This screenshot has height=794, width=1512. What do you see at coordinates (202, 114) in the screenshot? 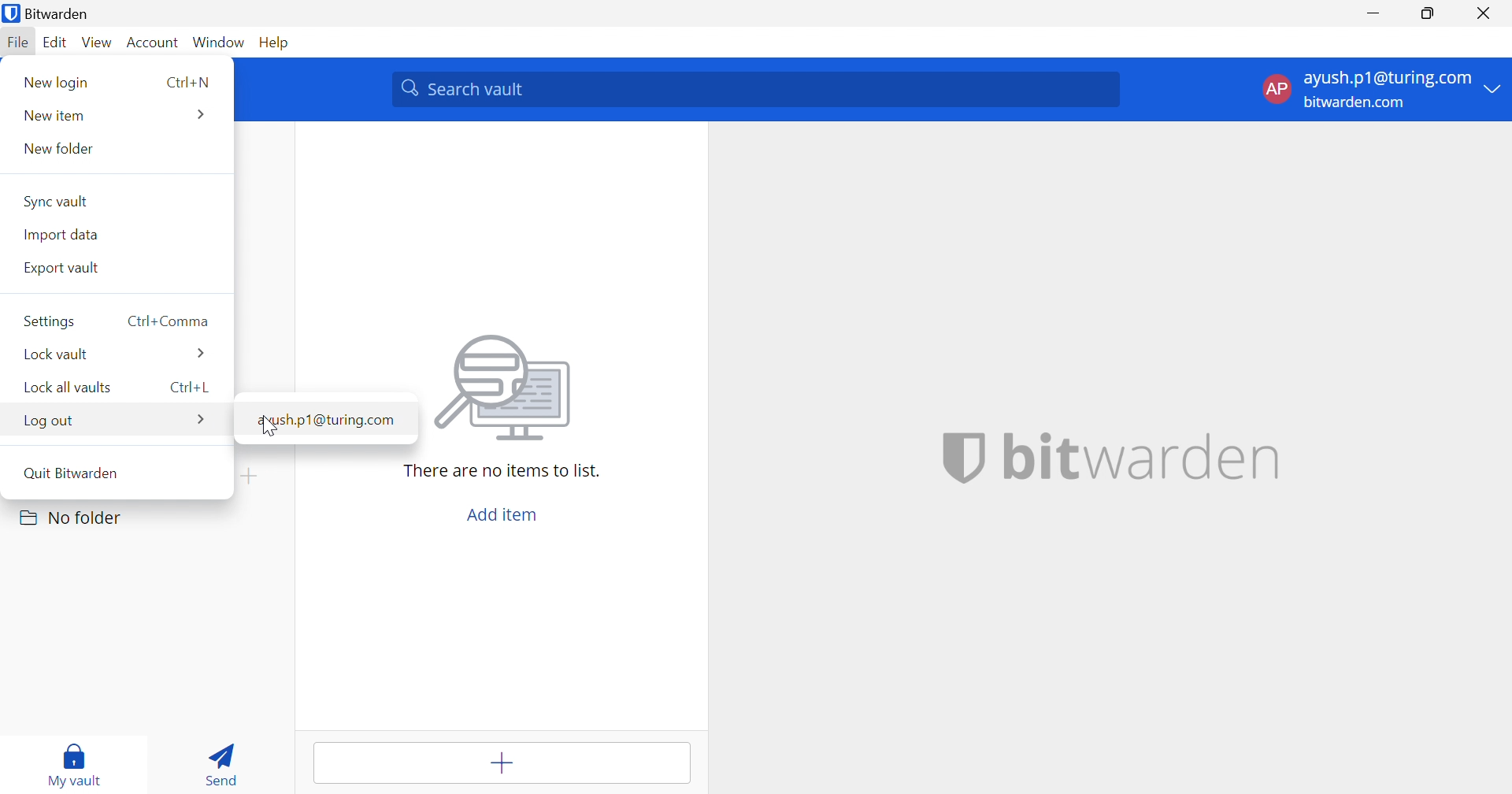
I see `More` at bounding box center [202, 114].